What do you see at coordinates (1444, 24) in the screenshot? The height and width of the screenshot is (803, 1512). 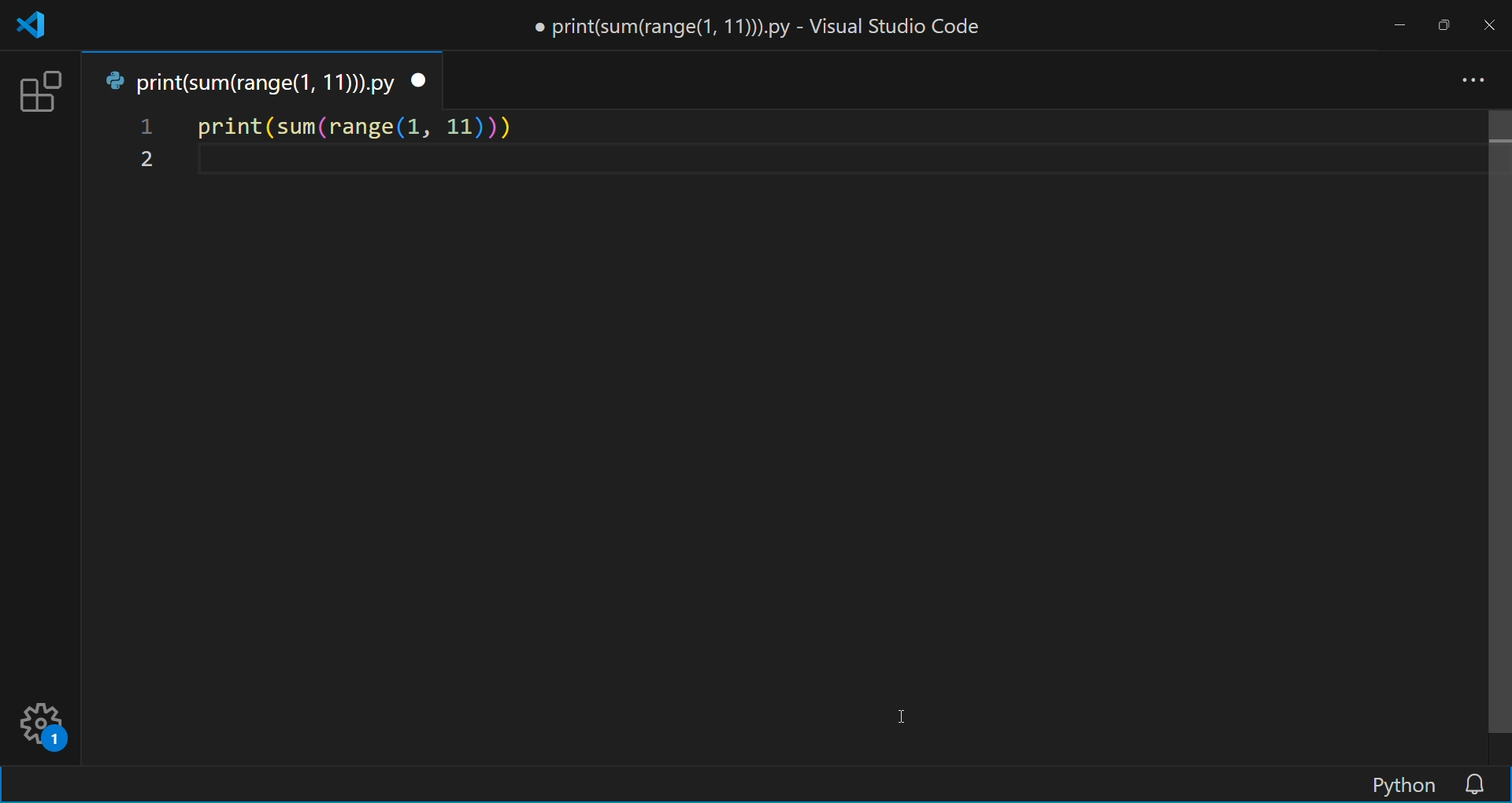 I see `maximize` at bounding box center [1444, 24].